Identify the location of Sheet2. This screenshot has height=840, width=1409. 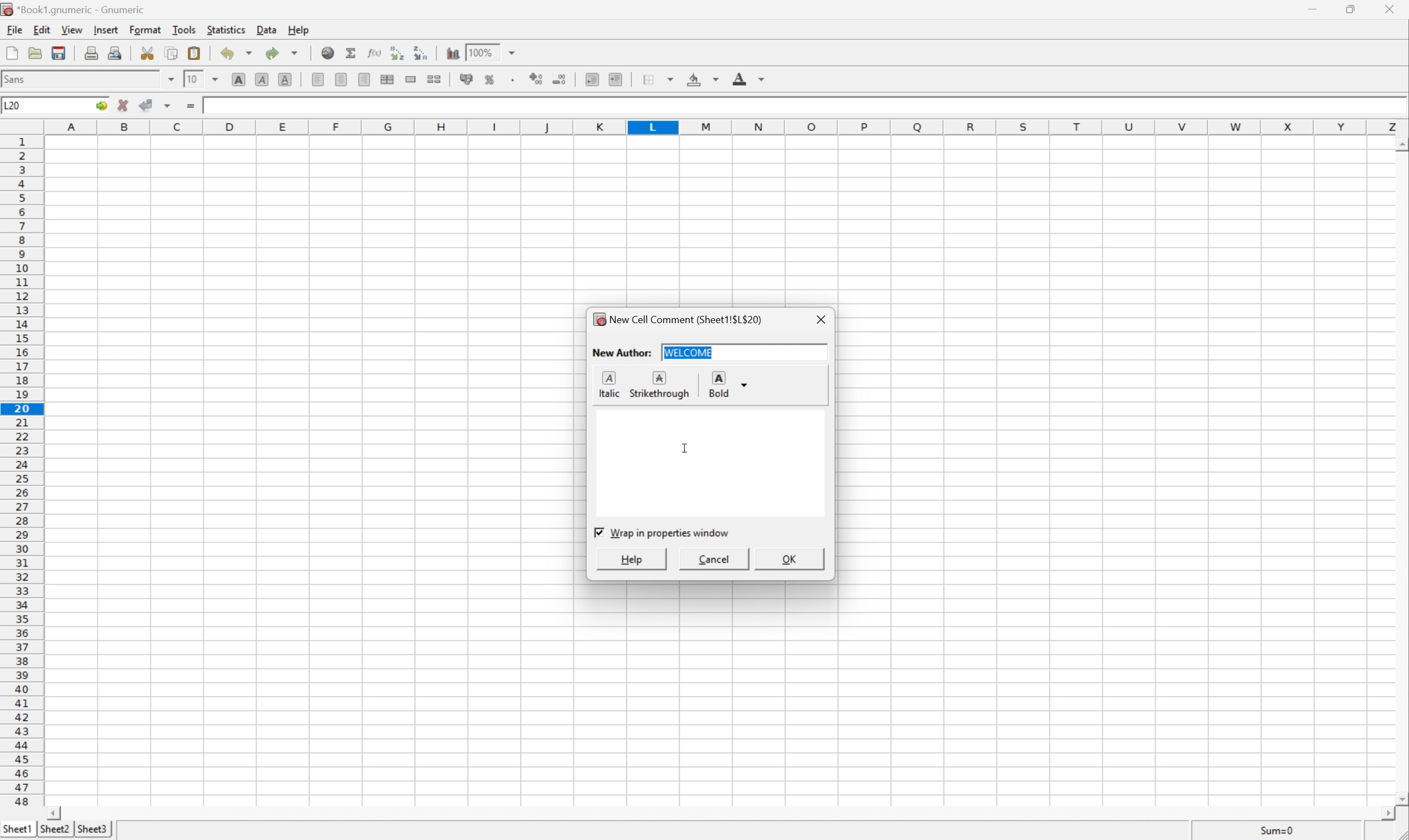
(90, 830).